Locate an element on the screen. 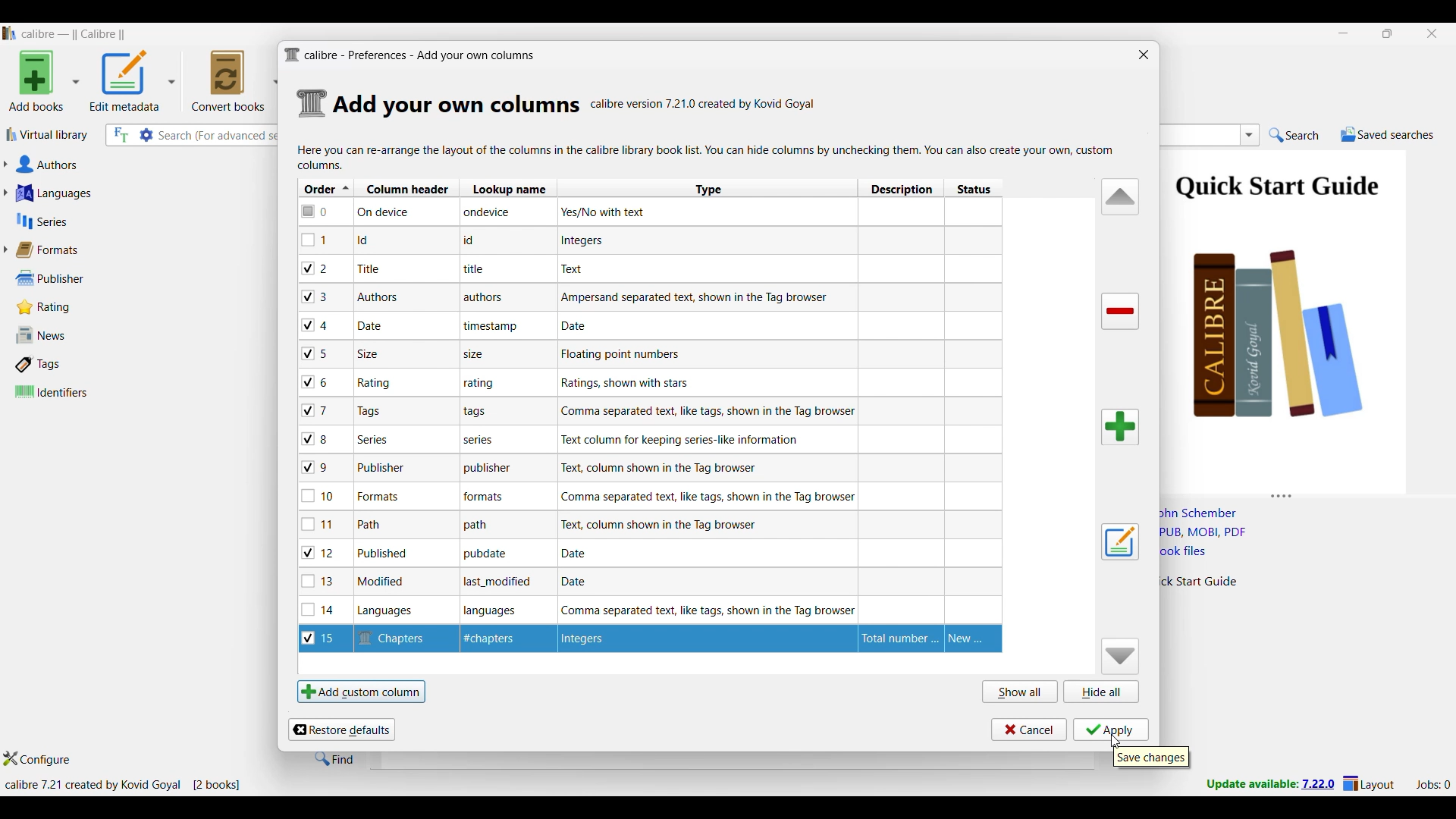  checkbox - 0 is located at coordinates (316, 210).